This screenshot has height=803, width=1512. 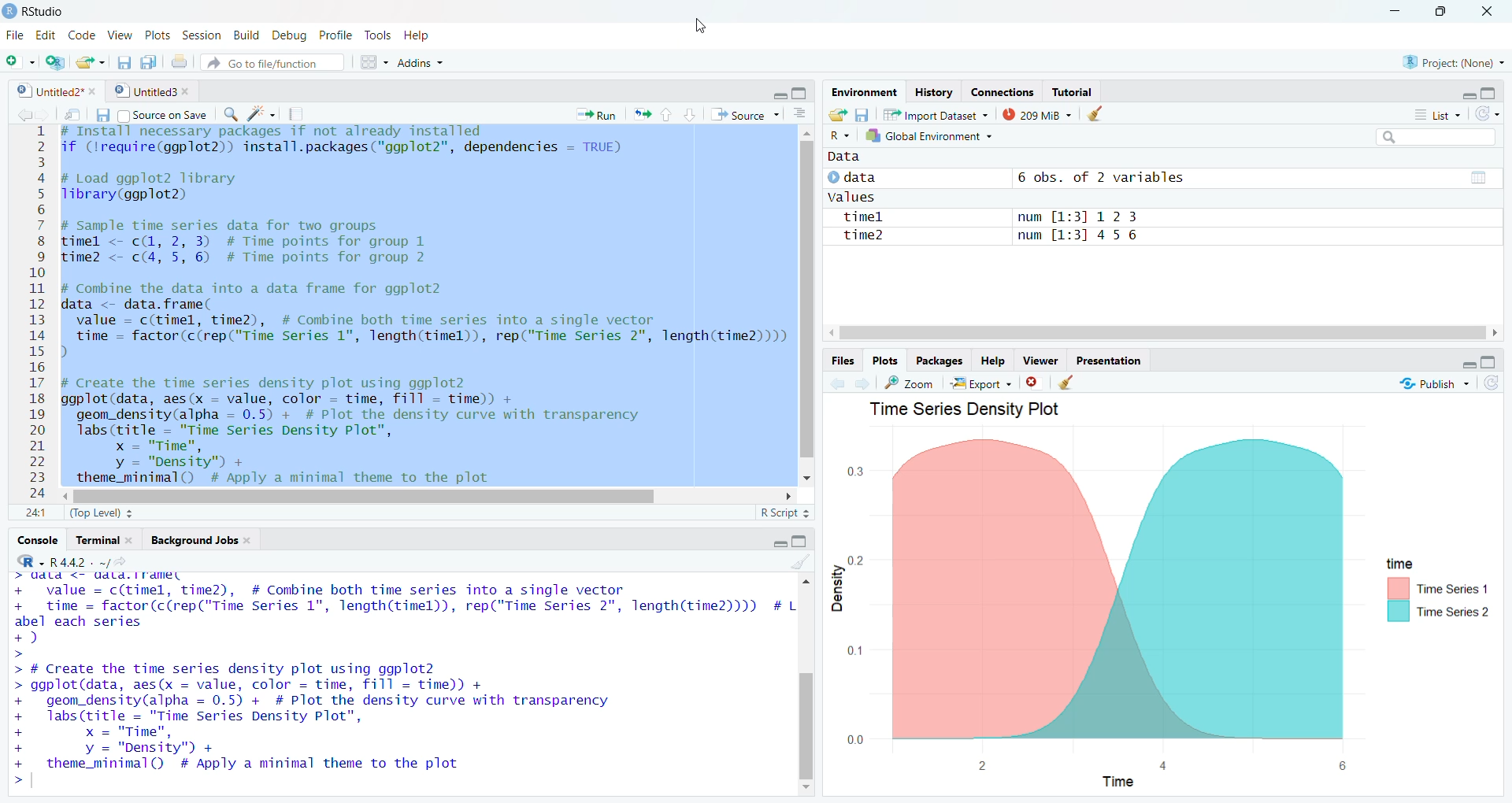 I want to click on Maximize, so click(x=1489, y=93).